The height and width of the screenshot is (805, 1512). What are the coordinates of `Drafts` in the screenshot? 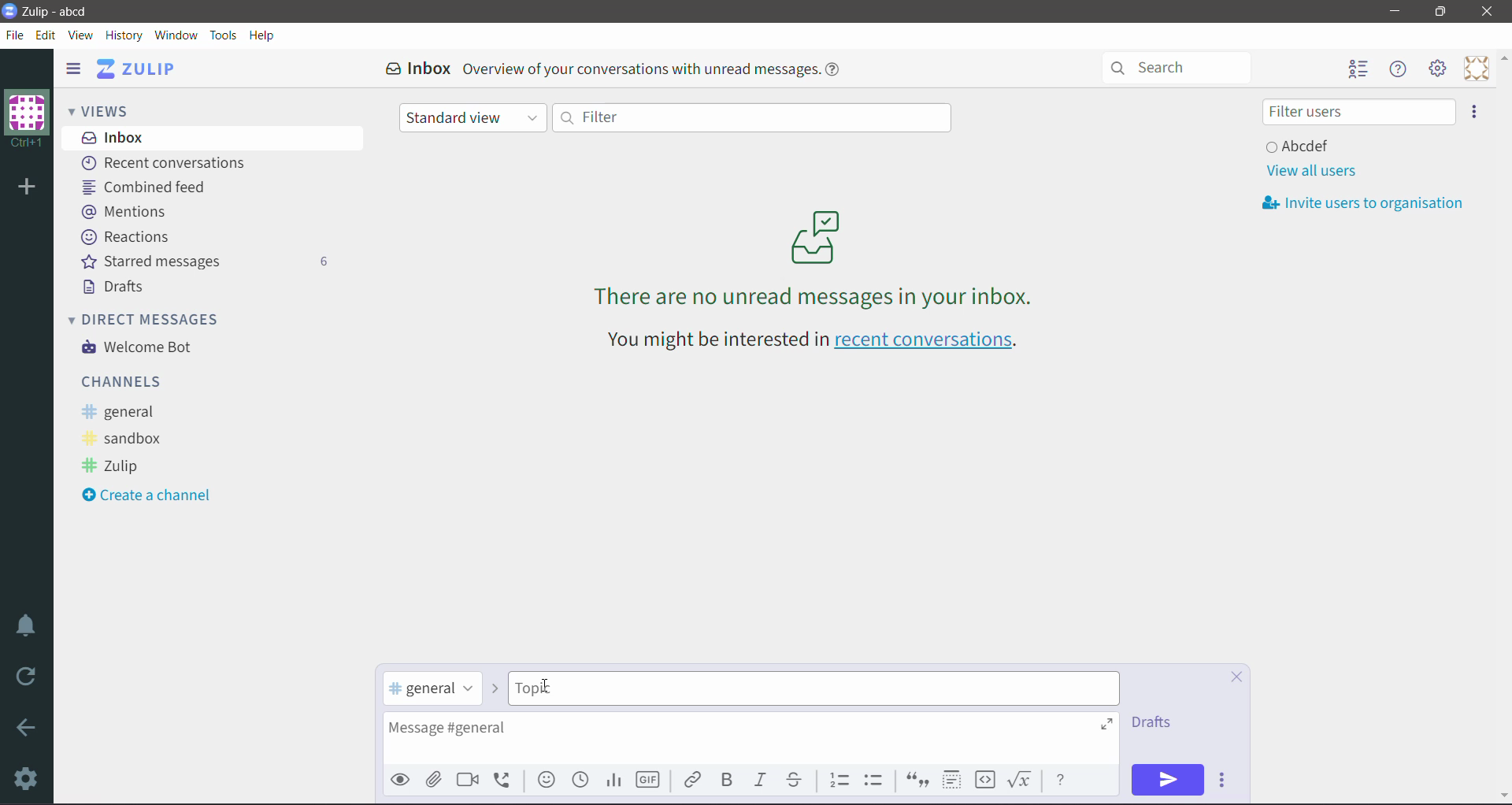 It's located at (1157, 722).